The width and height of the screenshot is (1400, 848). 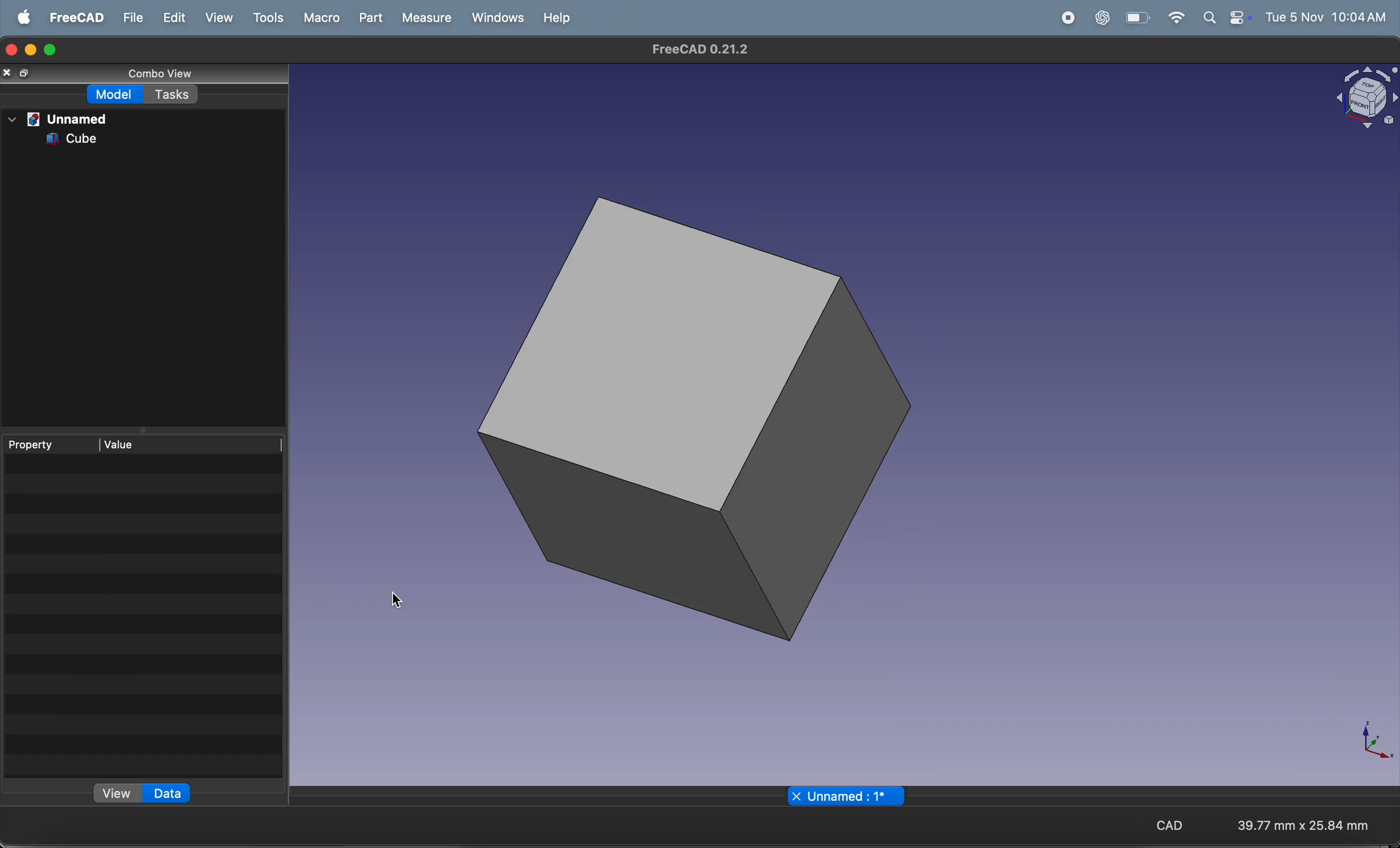 What do you see at coordinates (53, 49) in the screenshot?
I see `maximize` at bounding box center [53, 49].